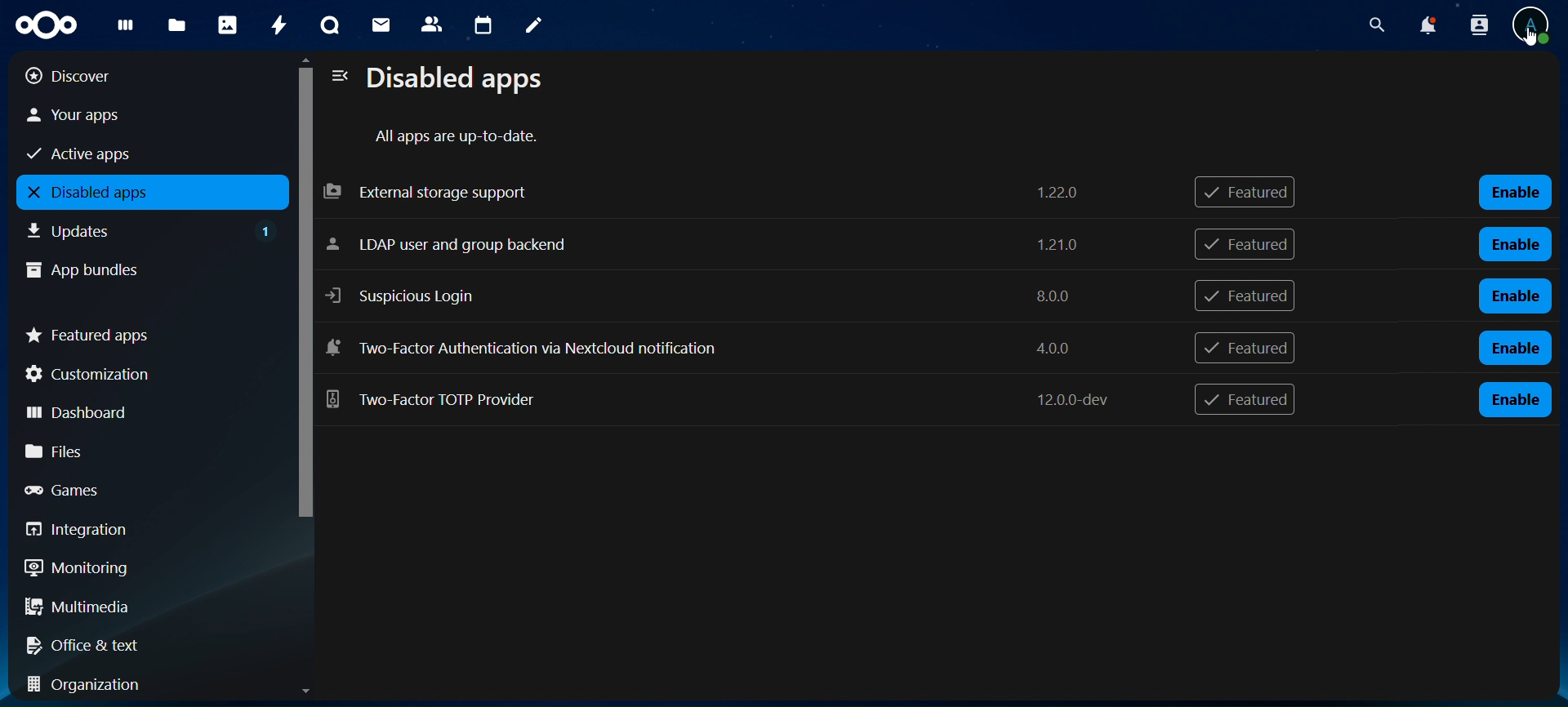 The image size is (1568, 707). What do you see at coordinates (143, 451) in the screenshot?
I see `files` at bounding box center [143, 451].